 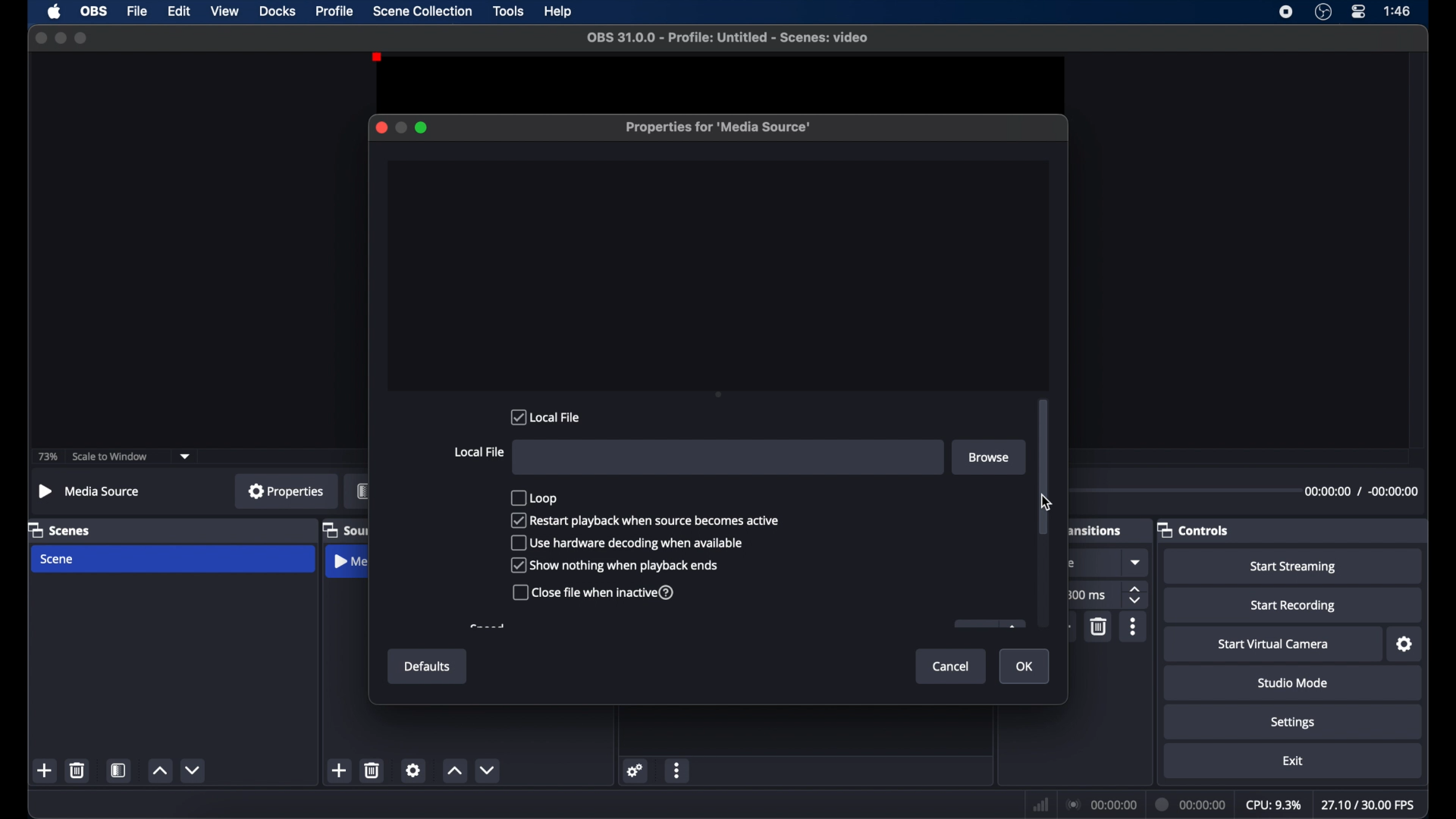 What do you see at coordinates (194, 770) in the screenshot?
I see `decrement` at bounding box center [194, 770].